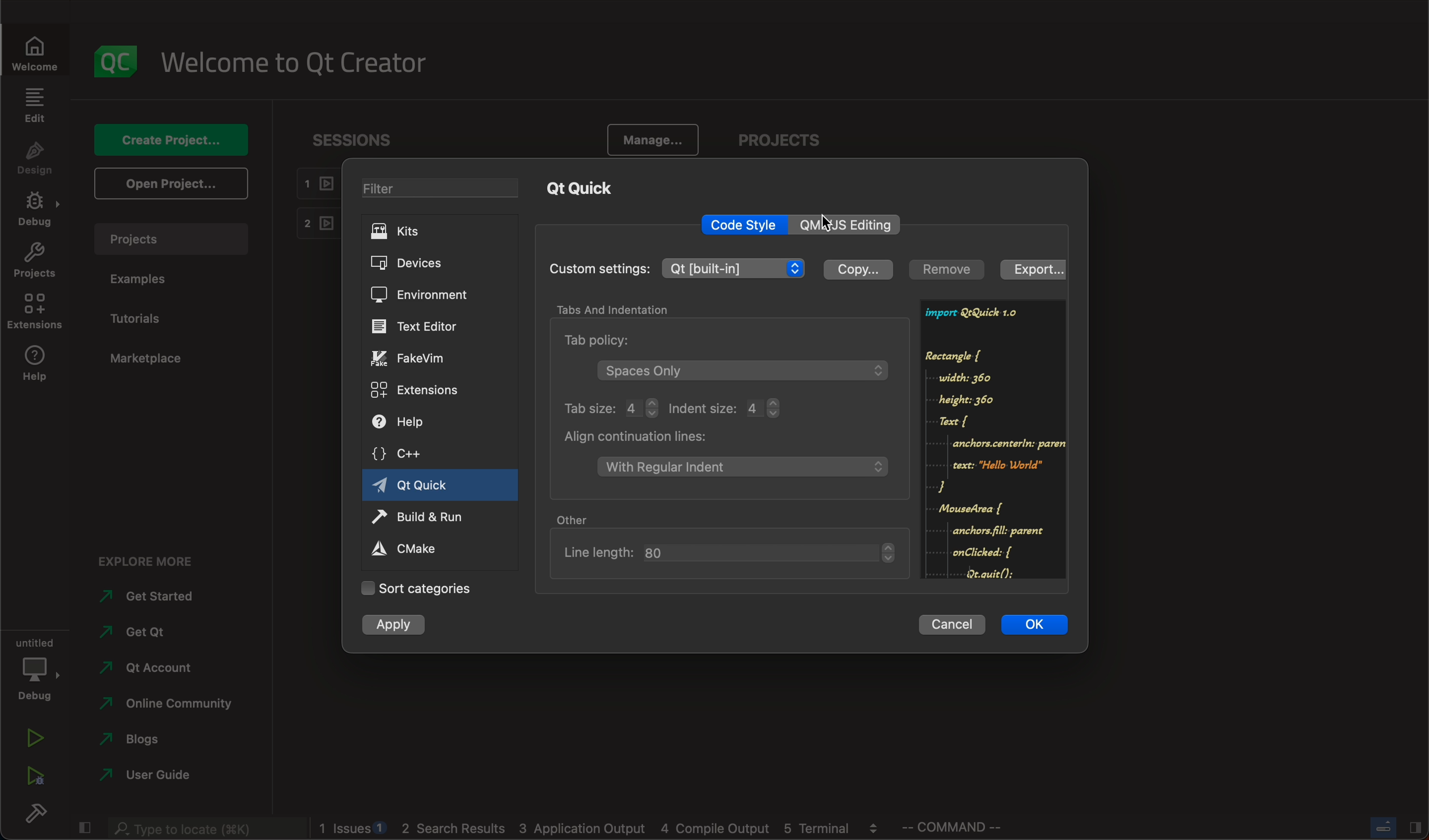 The height and width of the screenshot is (840, 1429). I want to click on run, so click(36, 738).